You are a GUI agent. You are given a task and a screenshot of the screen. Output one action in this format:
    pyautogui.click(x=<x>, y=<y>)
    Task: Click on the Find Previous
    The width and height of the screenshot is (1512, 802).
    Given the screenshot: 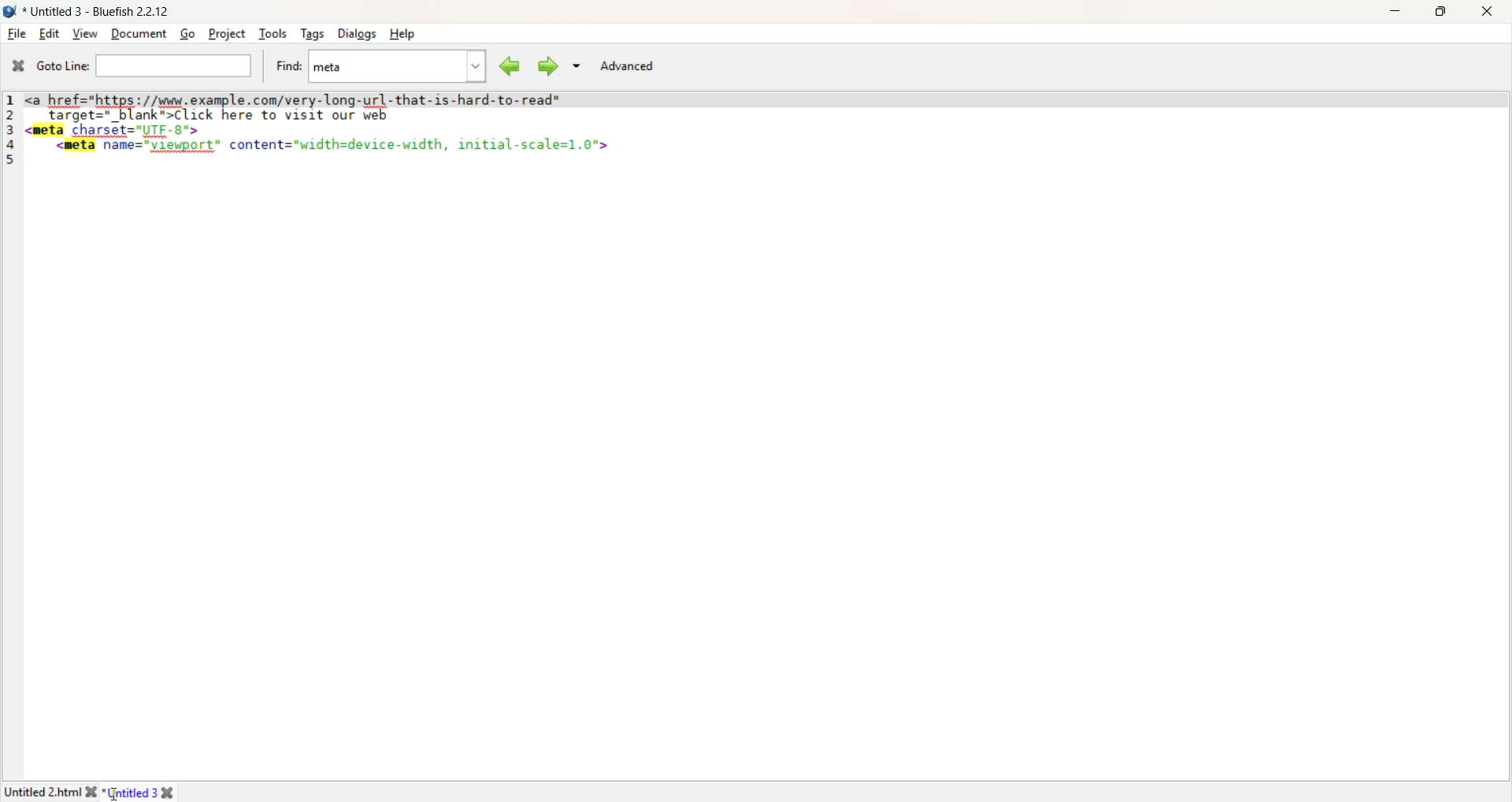 What is the action you would take?
    pyautogui.click(x=507, y=66)
    